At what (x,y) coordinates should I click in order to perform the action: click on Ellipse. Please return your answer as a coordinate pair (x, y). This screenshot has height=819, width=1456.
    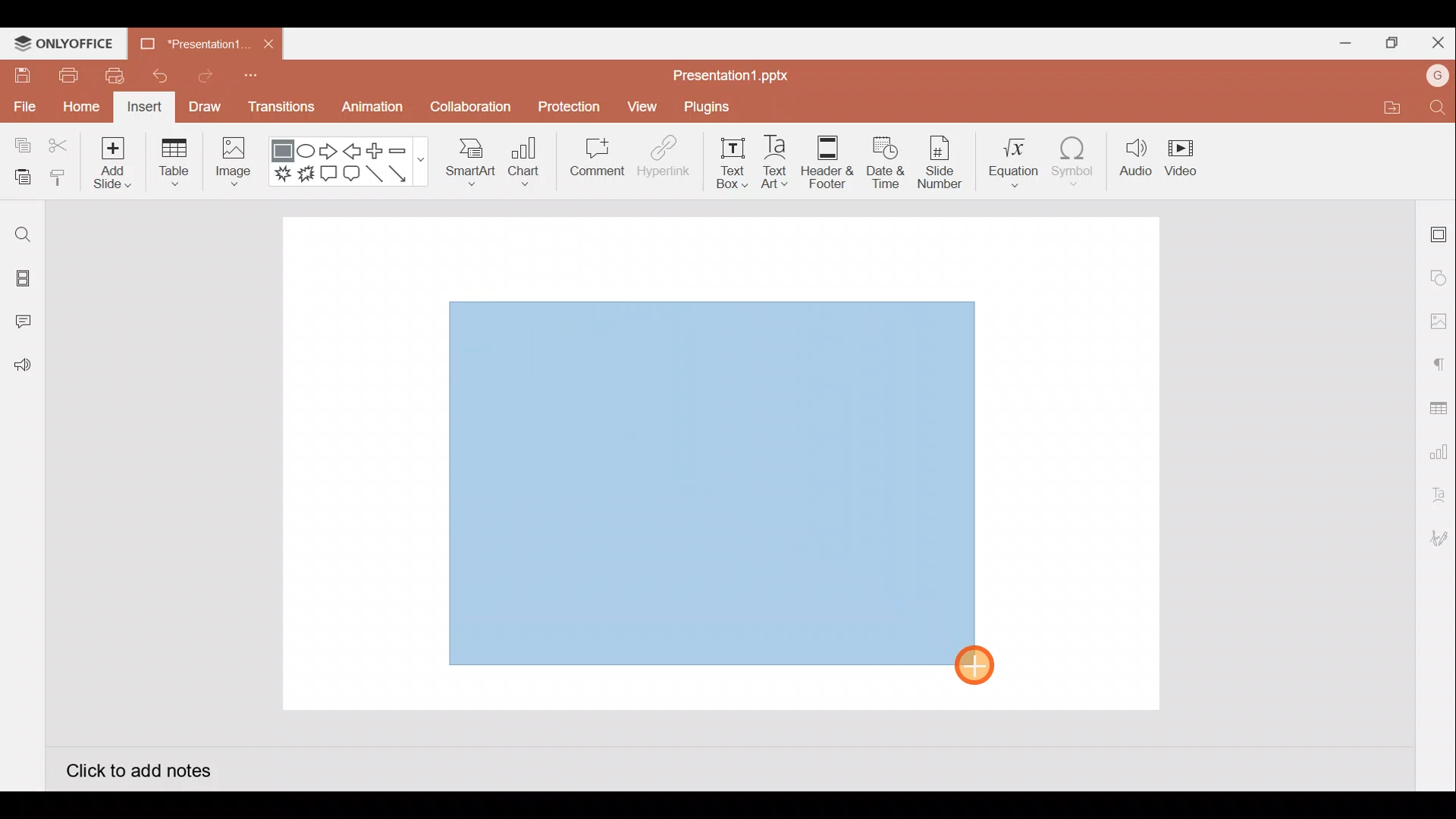
    Looking at the image, I should click on (308, 150).